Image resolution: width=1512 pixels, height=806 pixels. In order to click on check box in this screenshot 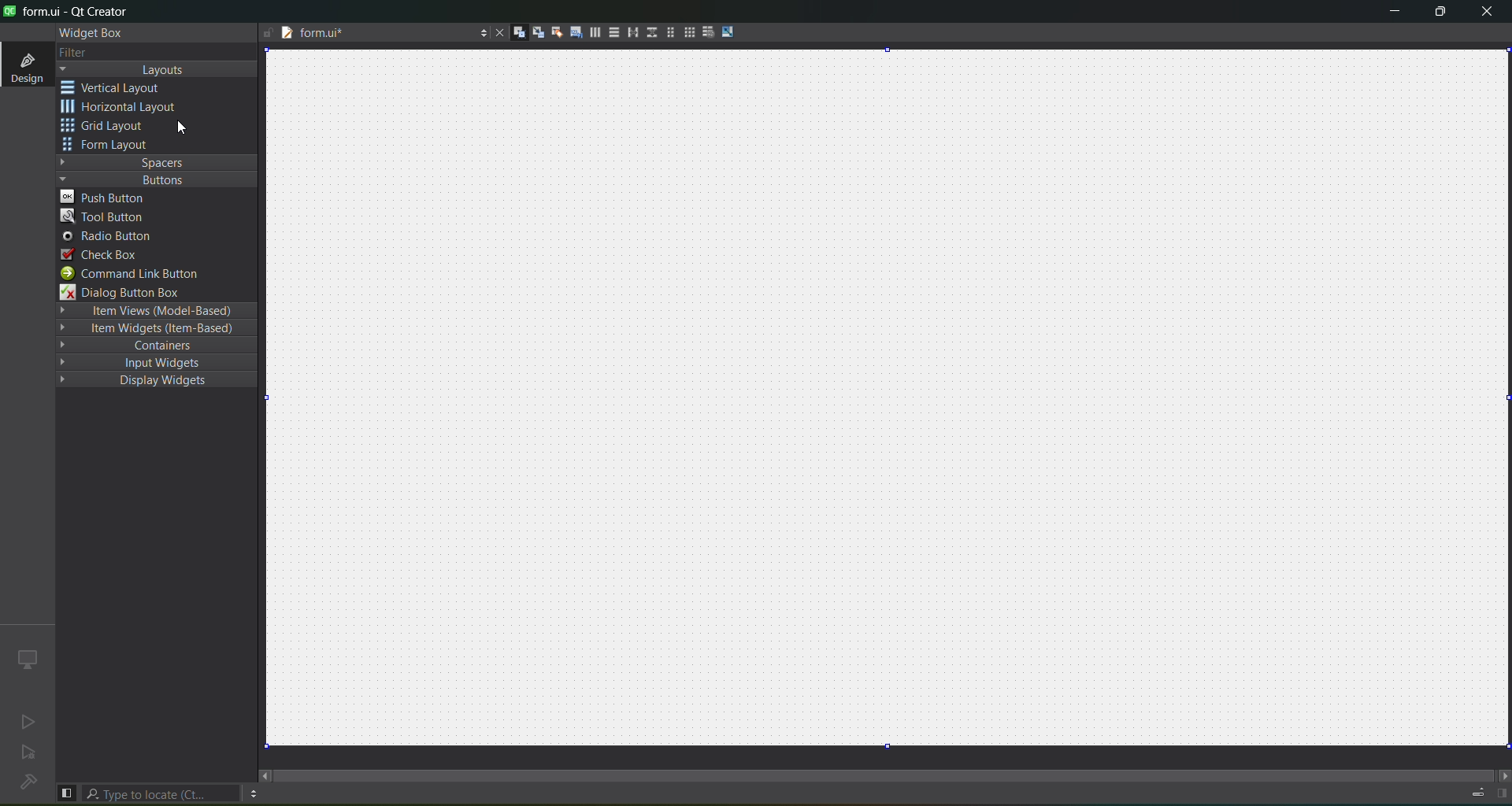, I will do `click(101, 254)`.